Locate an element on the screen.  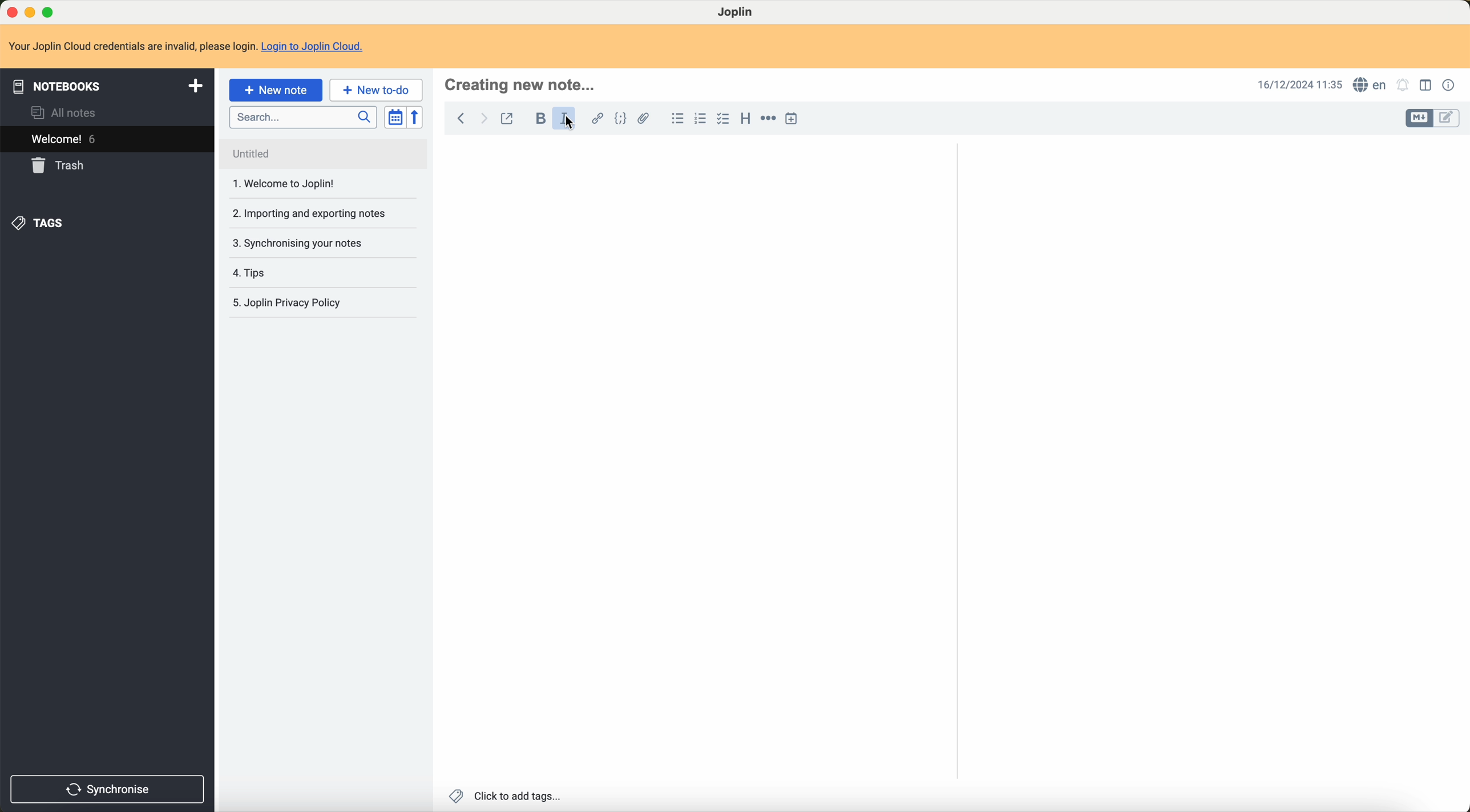
all notes is located at coordinates (64, 114).